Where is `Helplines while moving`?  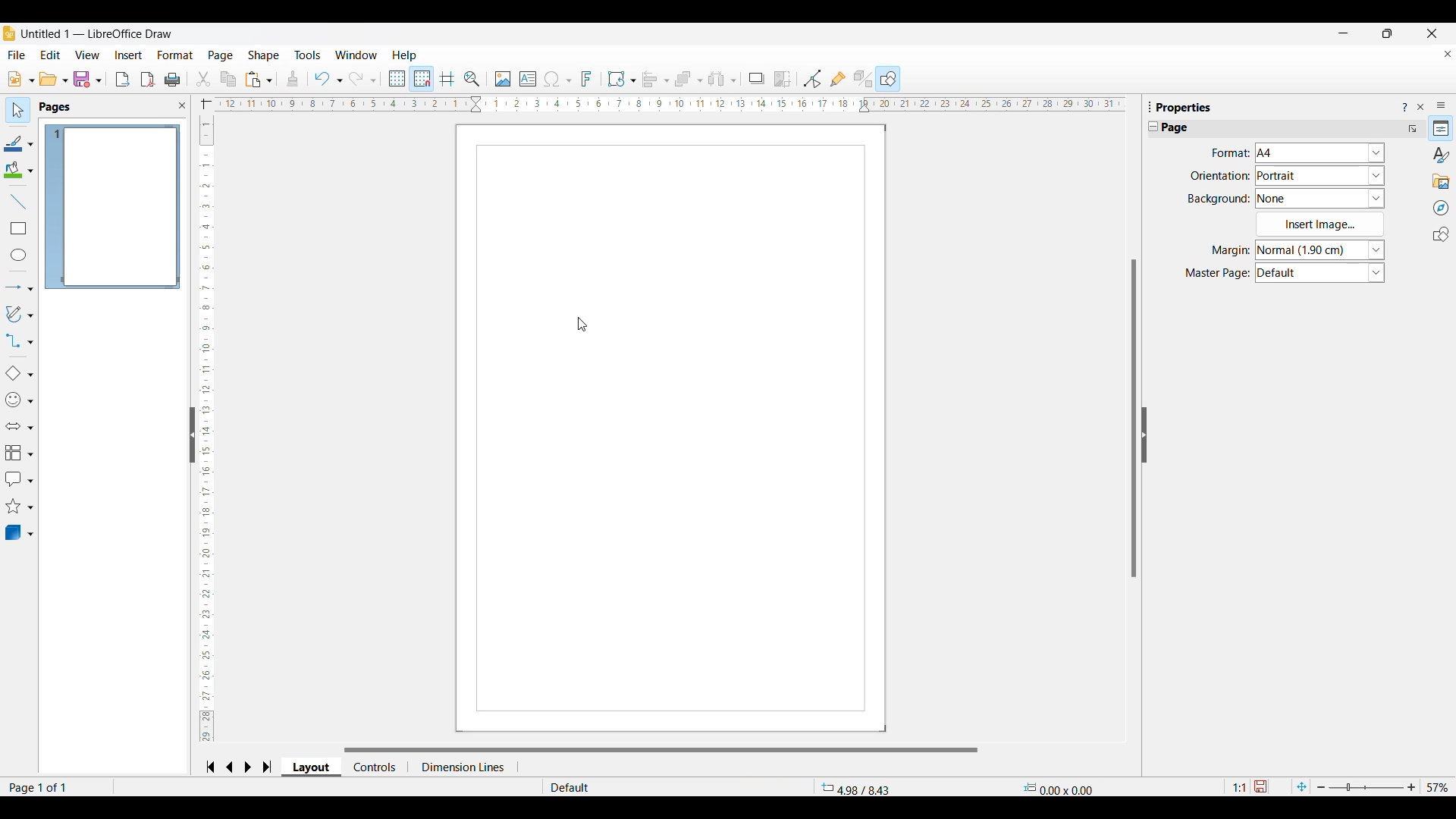
Helplines while moving is located at coordinates (447, 79).